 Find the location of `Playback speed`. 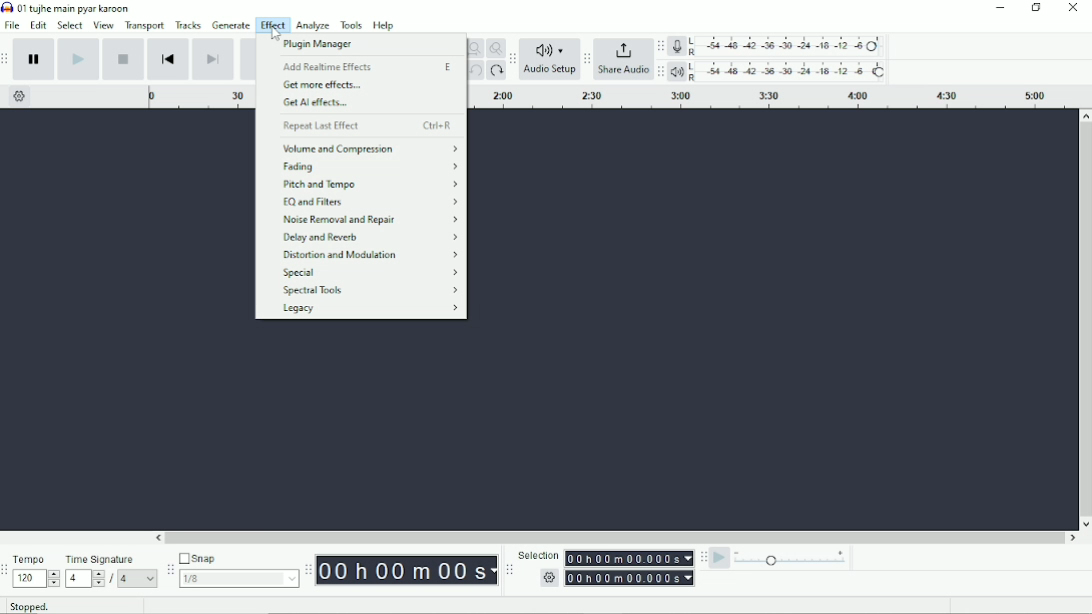

Playback speed is located at coordinates (796, 560).